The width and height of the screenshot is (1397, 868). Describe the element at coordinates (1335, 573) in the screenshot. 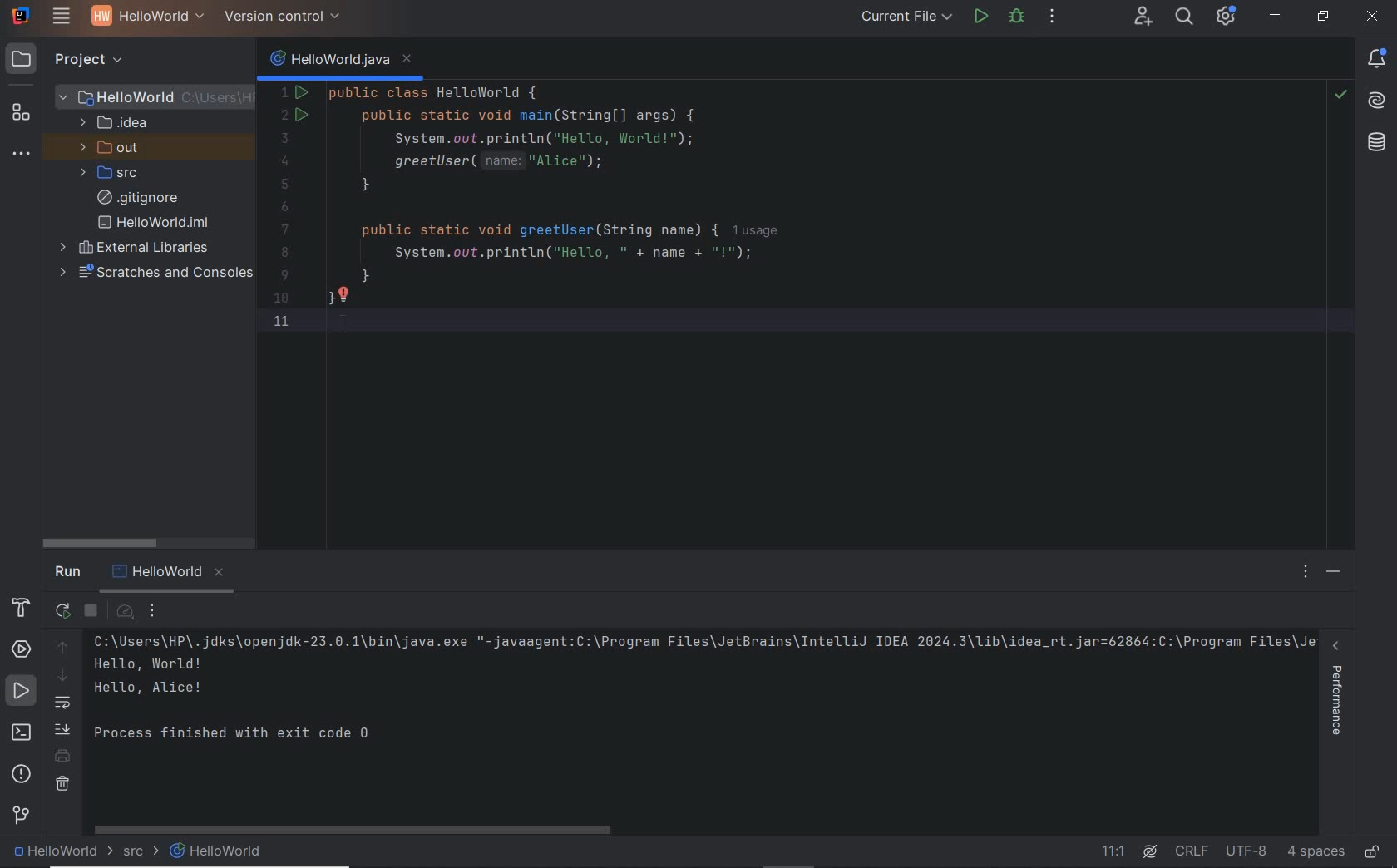

I see `hide` at that location.